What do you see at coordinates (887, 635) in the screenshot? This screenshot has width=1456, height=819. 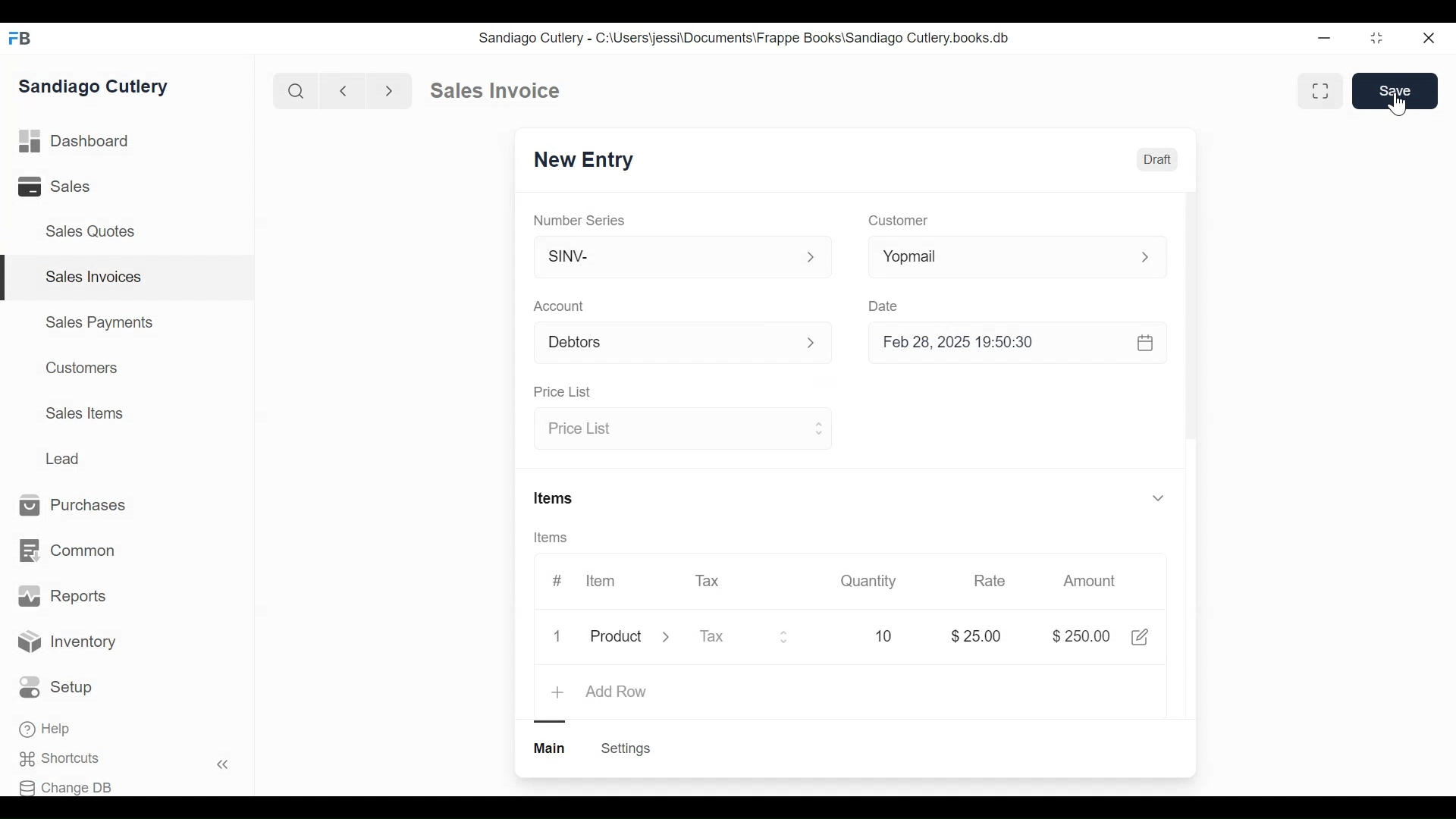 I see `10` at bounding box center [887, 635].